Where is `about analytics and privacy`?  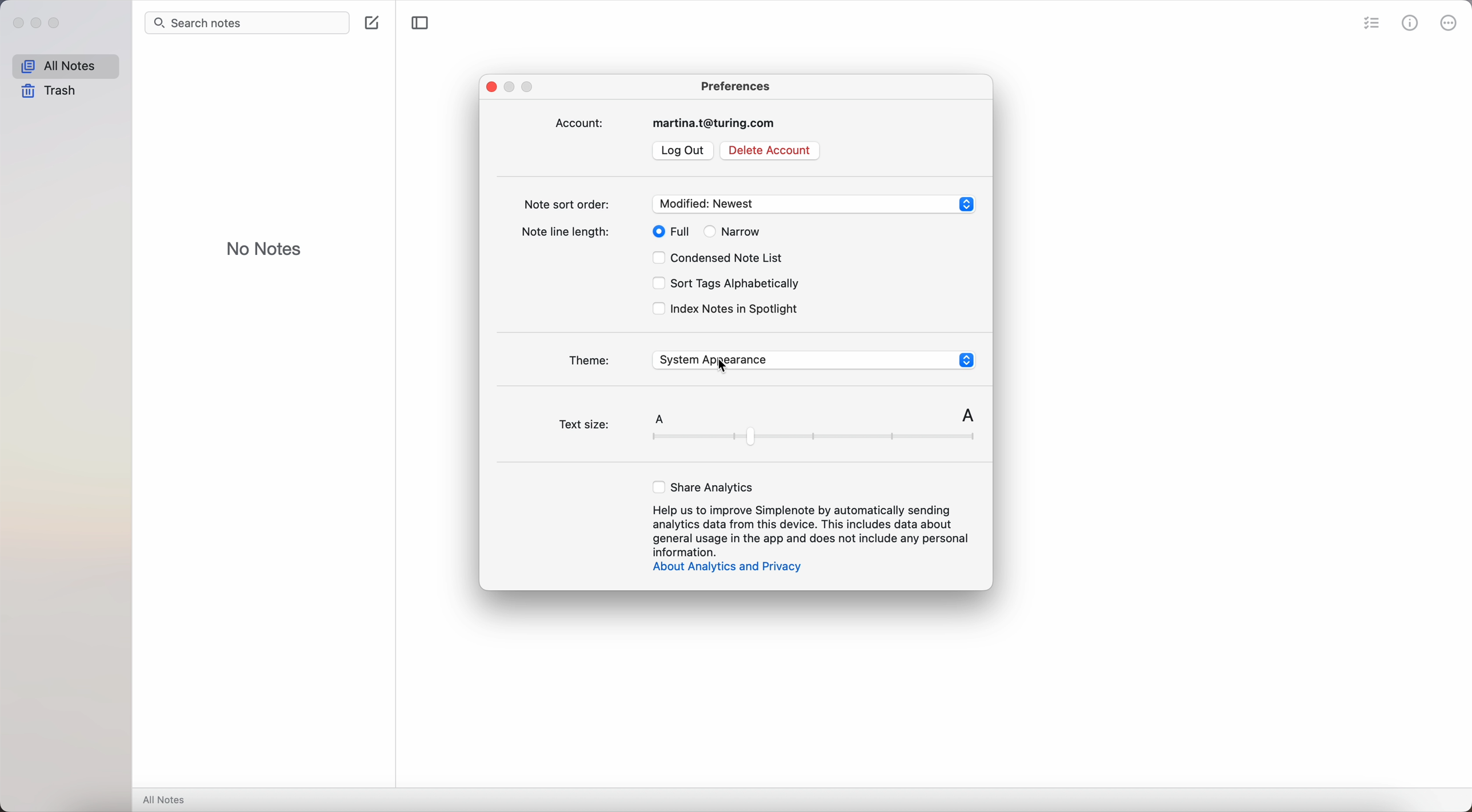 about analytics and privacy is located at coordinates (725, 568).